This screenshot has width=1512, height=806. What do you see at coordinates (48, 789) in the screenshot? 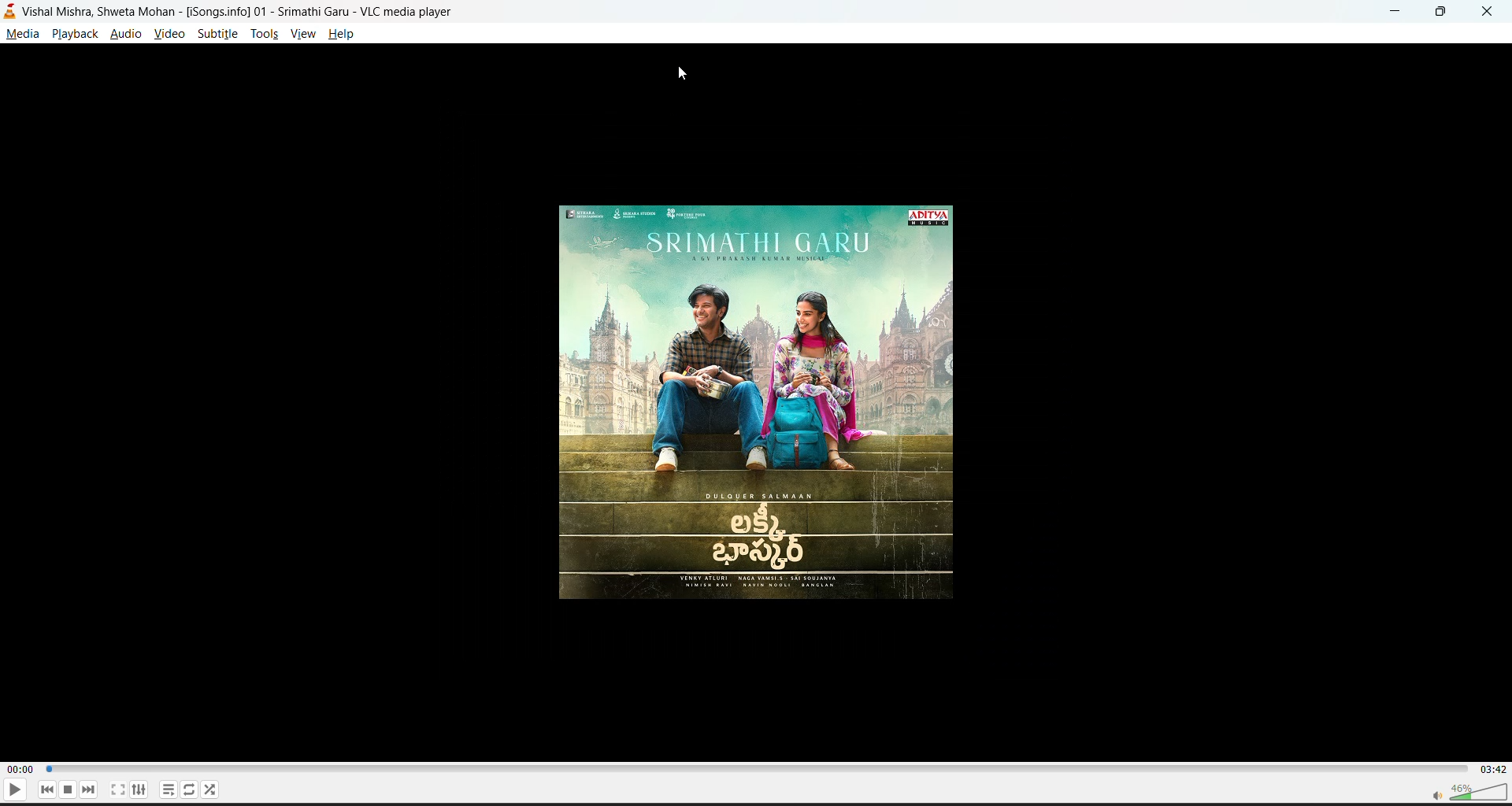
I see `previous` at bounding box center [48, 789].